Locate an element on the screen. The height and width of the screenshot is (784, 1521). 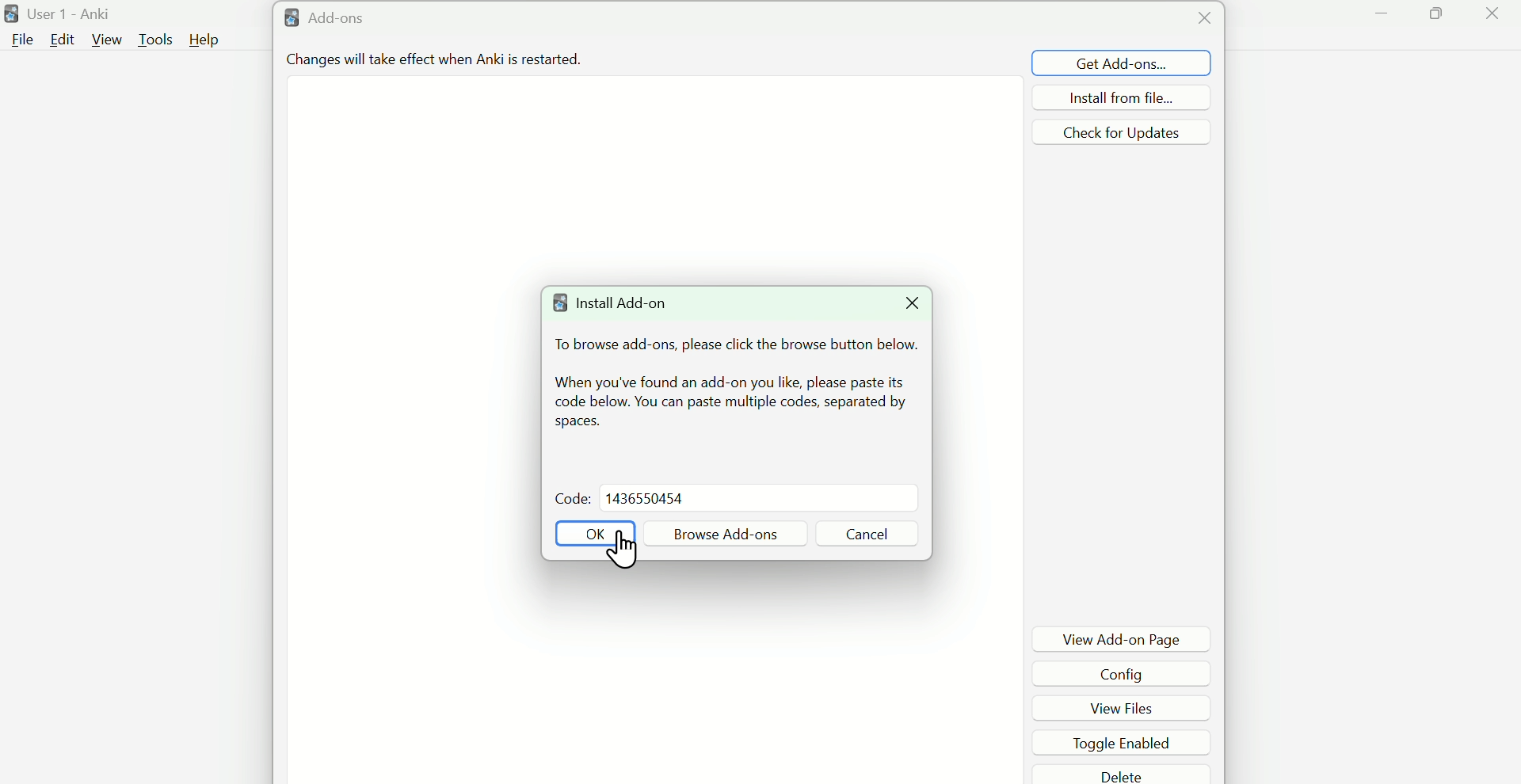
 is located at coordinates (595, 533).